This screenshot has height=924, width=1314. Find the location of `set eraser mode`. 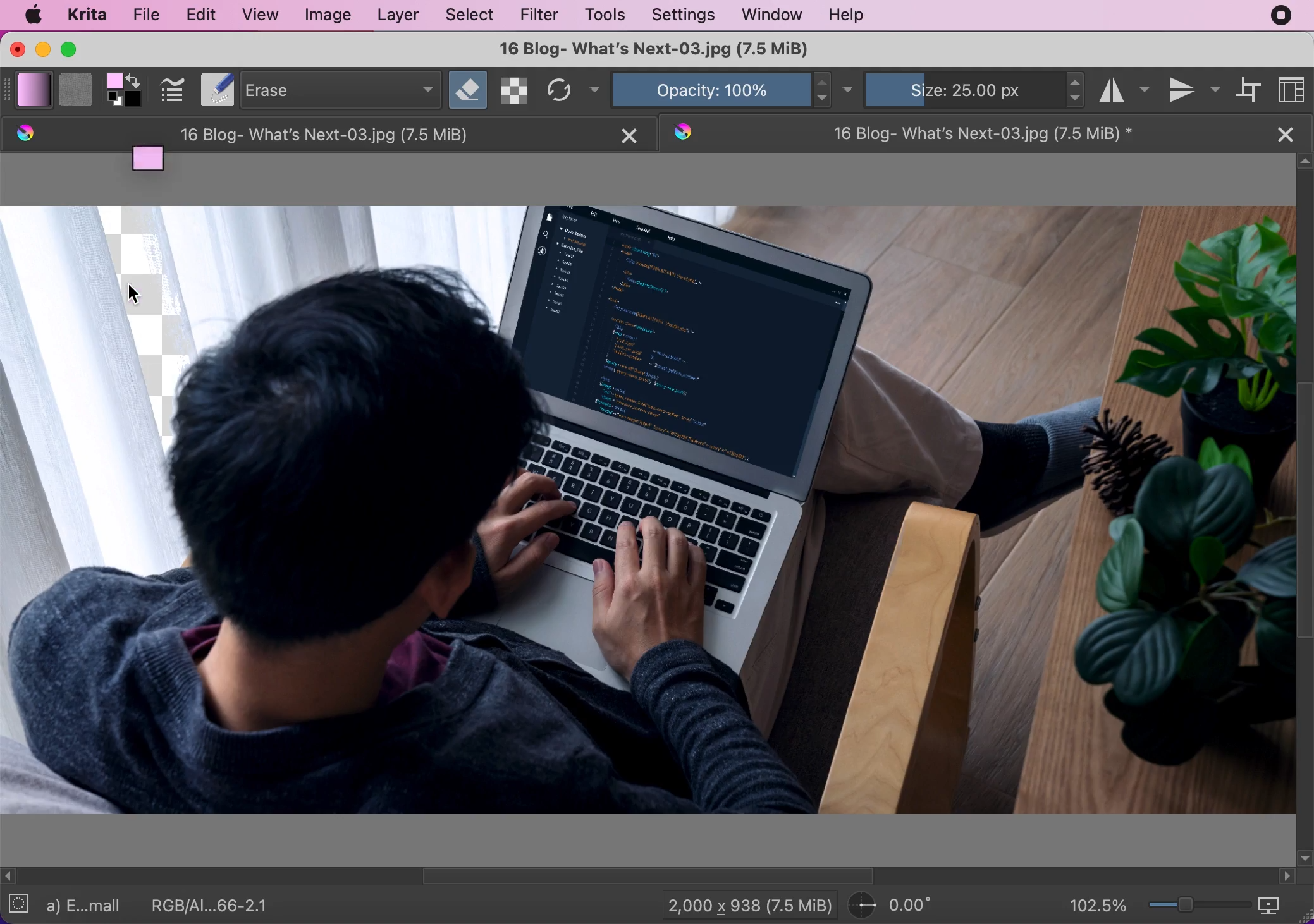

set eraser mode is located at coordinates (468, 88).